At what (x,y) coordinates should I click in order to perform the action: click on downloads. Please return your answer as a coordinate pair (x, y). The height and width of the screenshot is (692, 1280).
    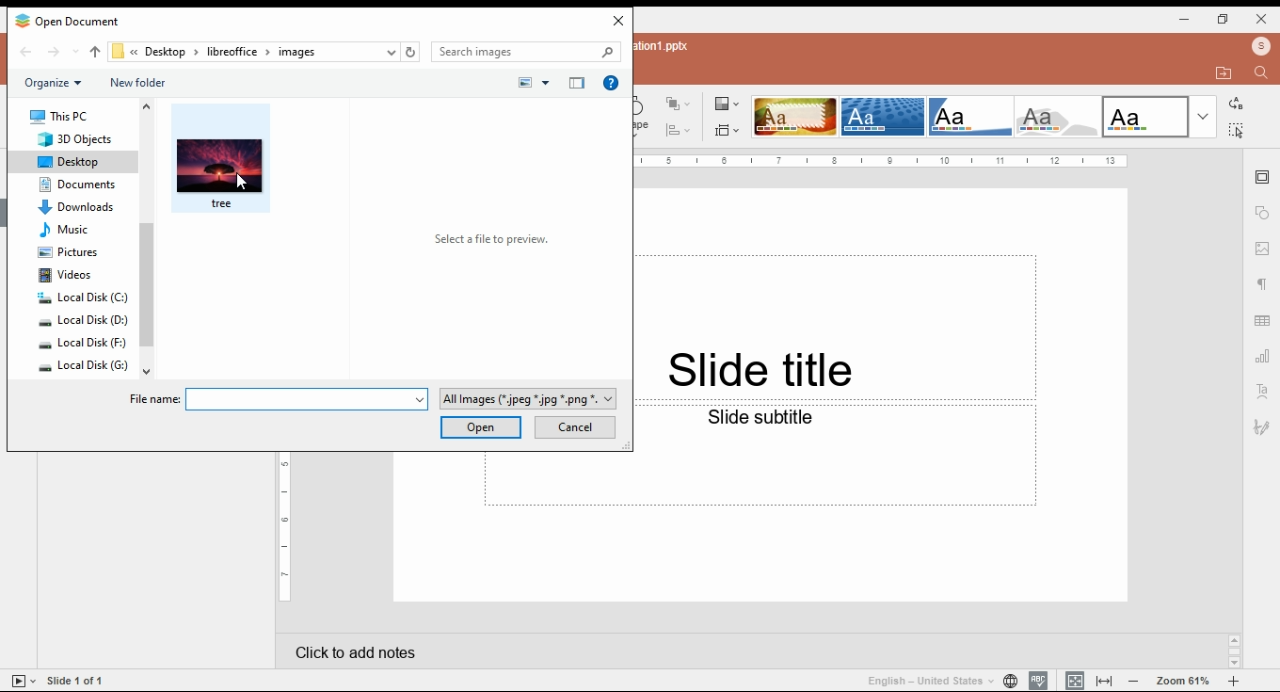
    Looking at the image, I should click on (74, 205).